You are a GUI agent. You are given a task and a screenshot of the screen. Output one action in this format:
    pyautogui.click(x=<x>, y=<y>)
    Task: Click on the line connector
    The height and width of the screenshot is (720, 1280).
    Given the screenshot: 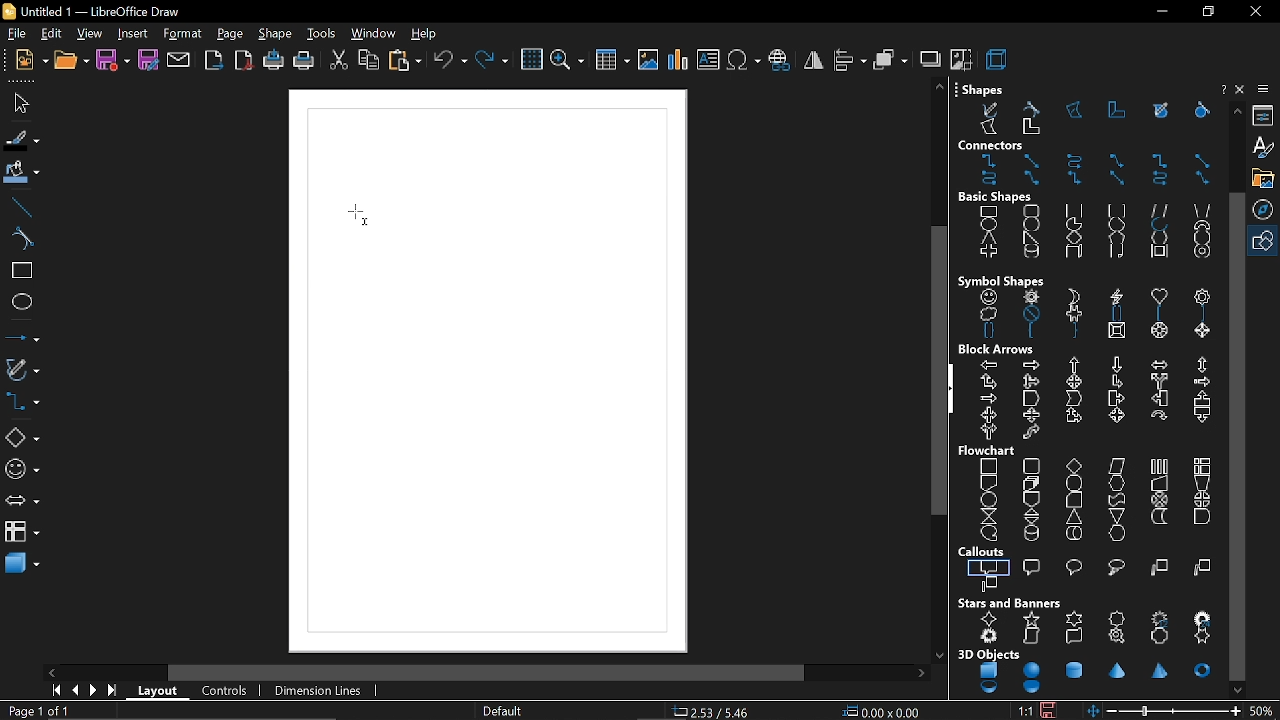 What is the action you would take?
    pyautogui.click(x=1031, y=180)
    